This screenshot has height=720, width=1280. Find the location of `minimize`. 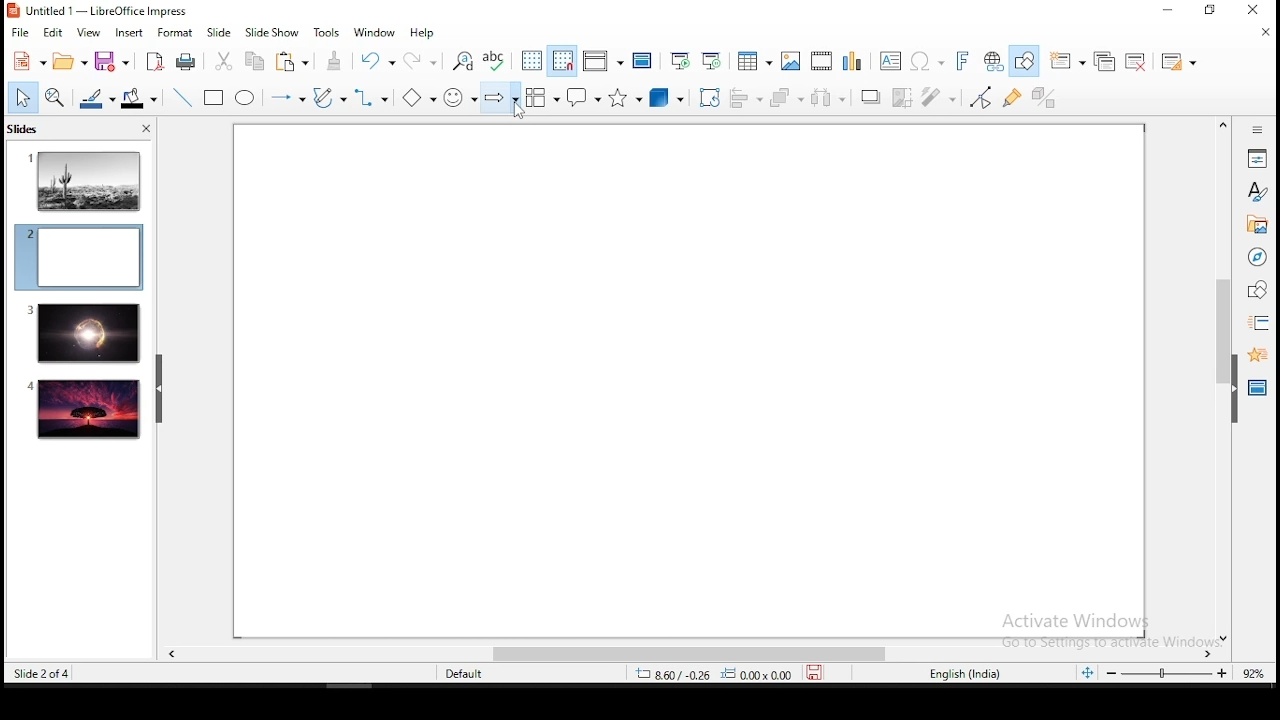

minimize is located at coordinates (1167, 13).